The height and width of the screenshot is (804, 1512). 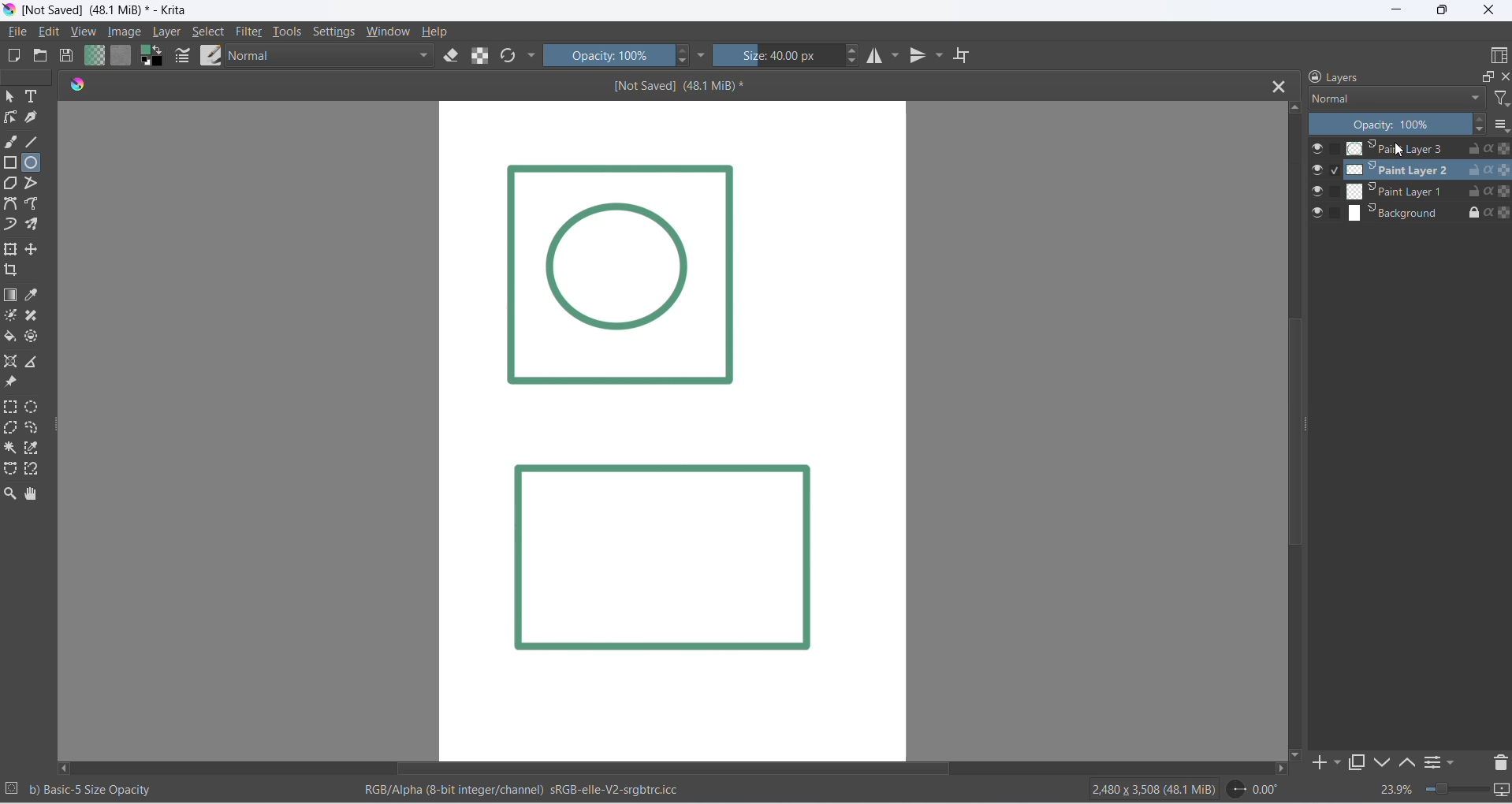 I want to click on file, so click(x=18, y=33).